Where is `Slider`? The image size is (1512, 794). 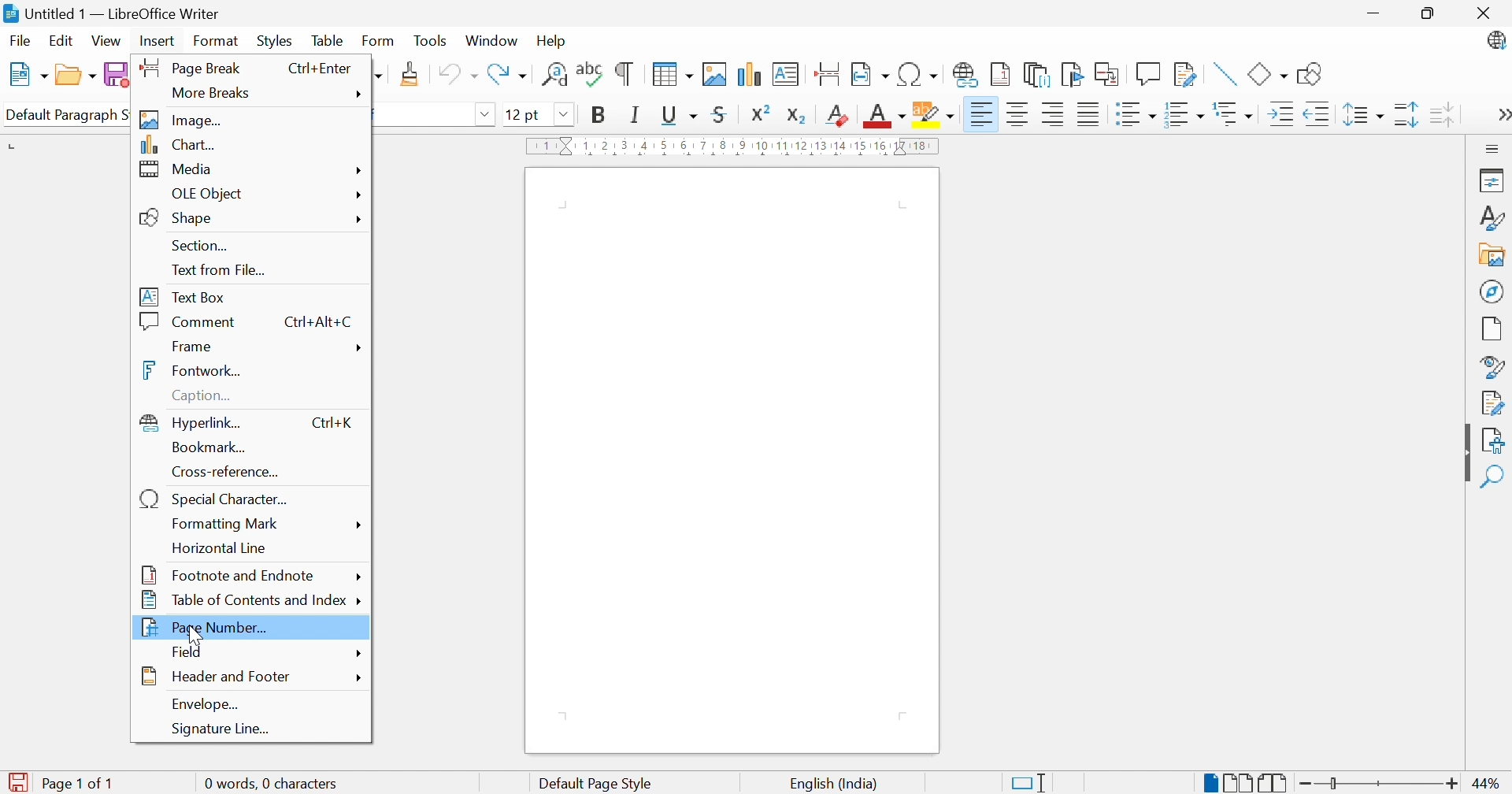 Slider is located at coordinates (1336, 784).